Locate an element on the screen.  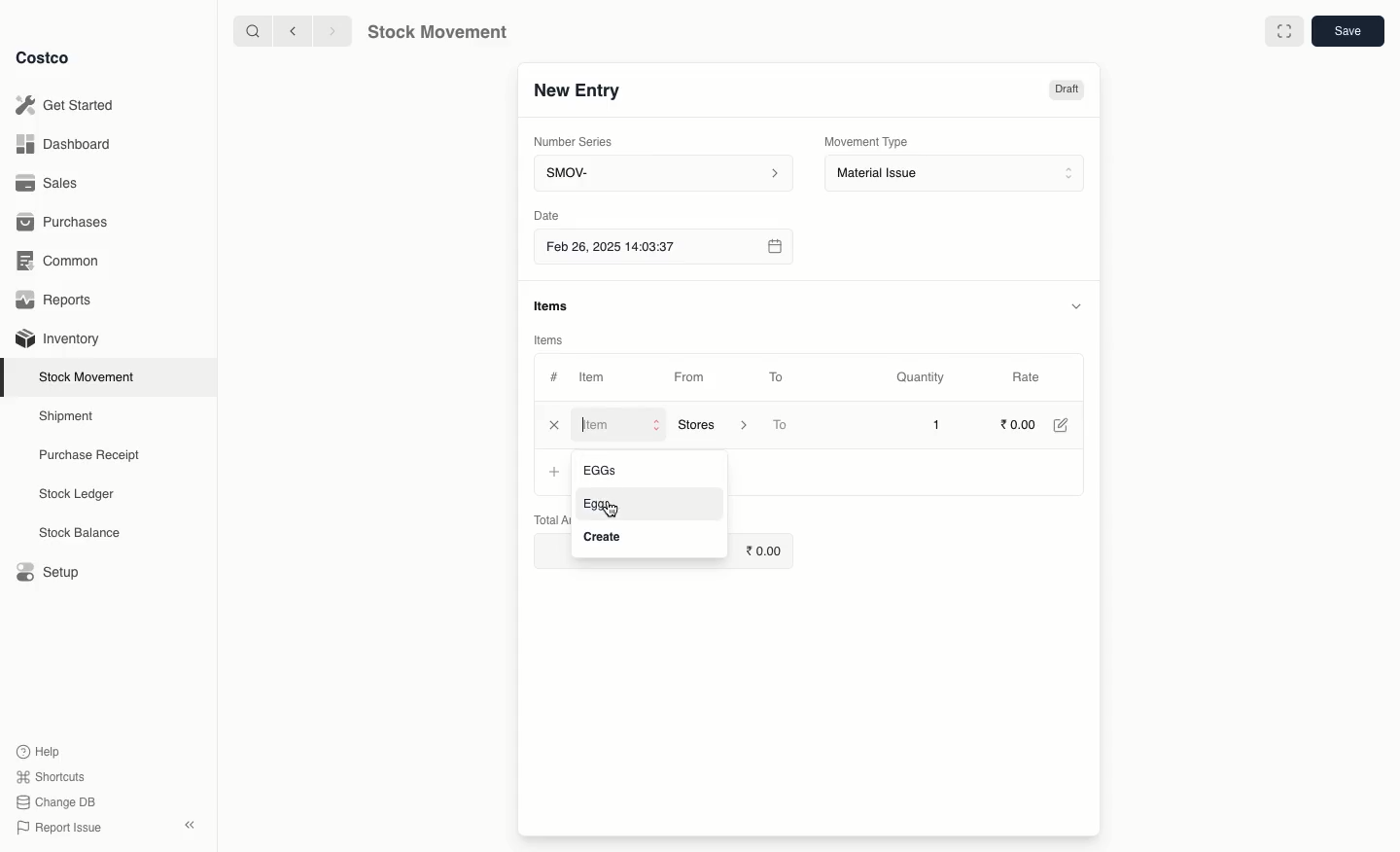
0.00 is located at coordinates (1019, 424).